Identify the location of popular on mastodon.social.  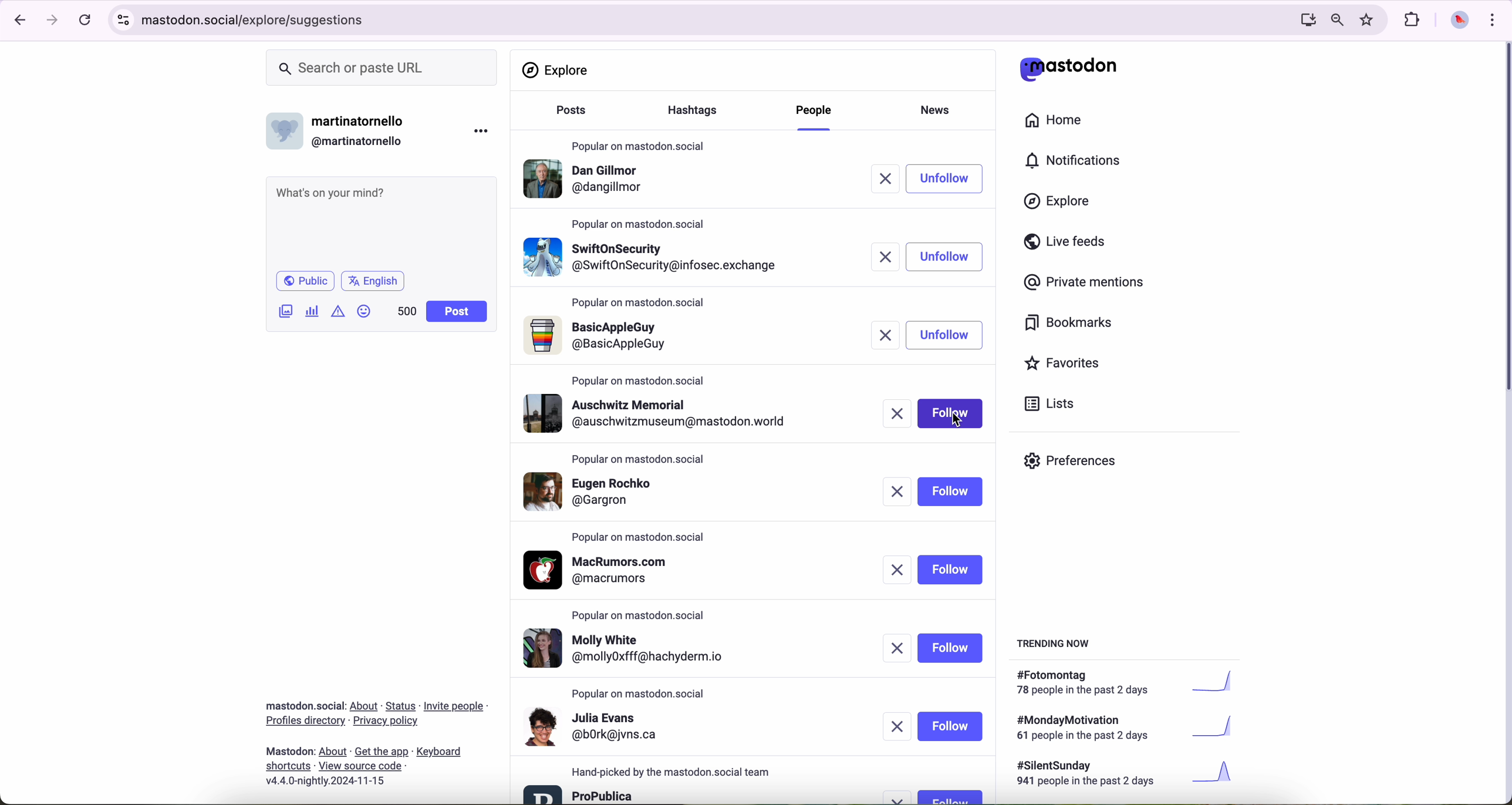
(640, 694).